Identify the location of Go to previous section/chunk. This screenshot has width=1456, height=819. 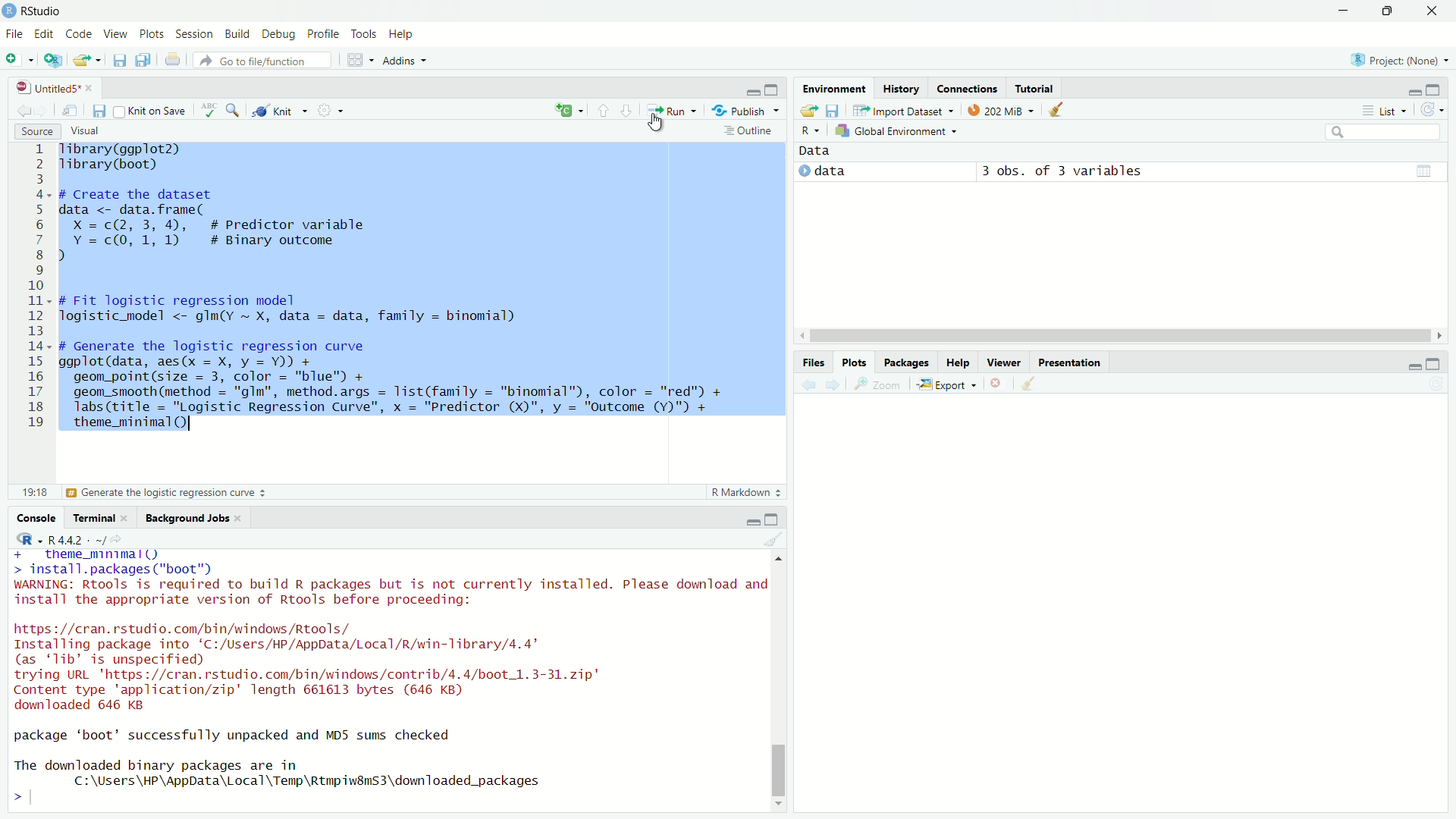
(602, 110).